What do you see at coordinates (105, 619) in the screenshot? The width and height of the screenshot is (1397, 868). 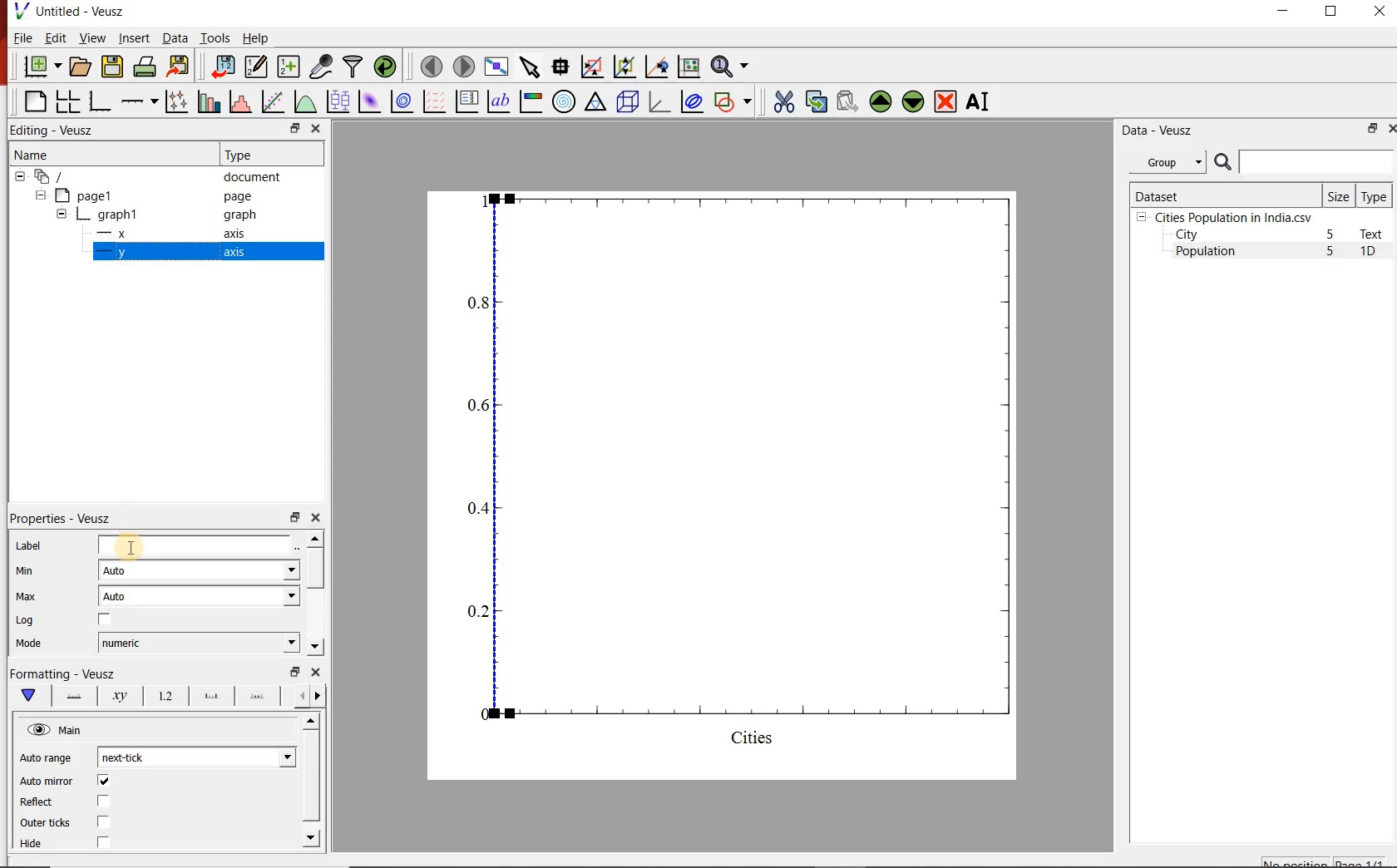 I see `check/uncheck` at bounding box center [105, 619].